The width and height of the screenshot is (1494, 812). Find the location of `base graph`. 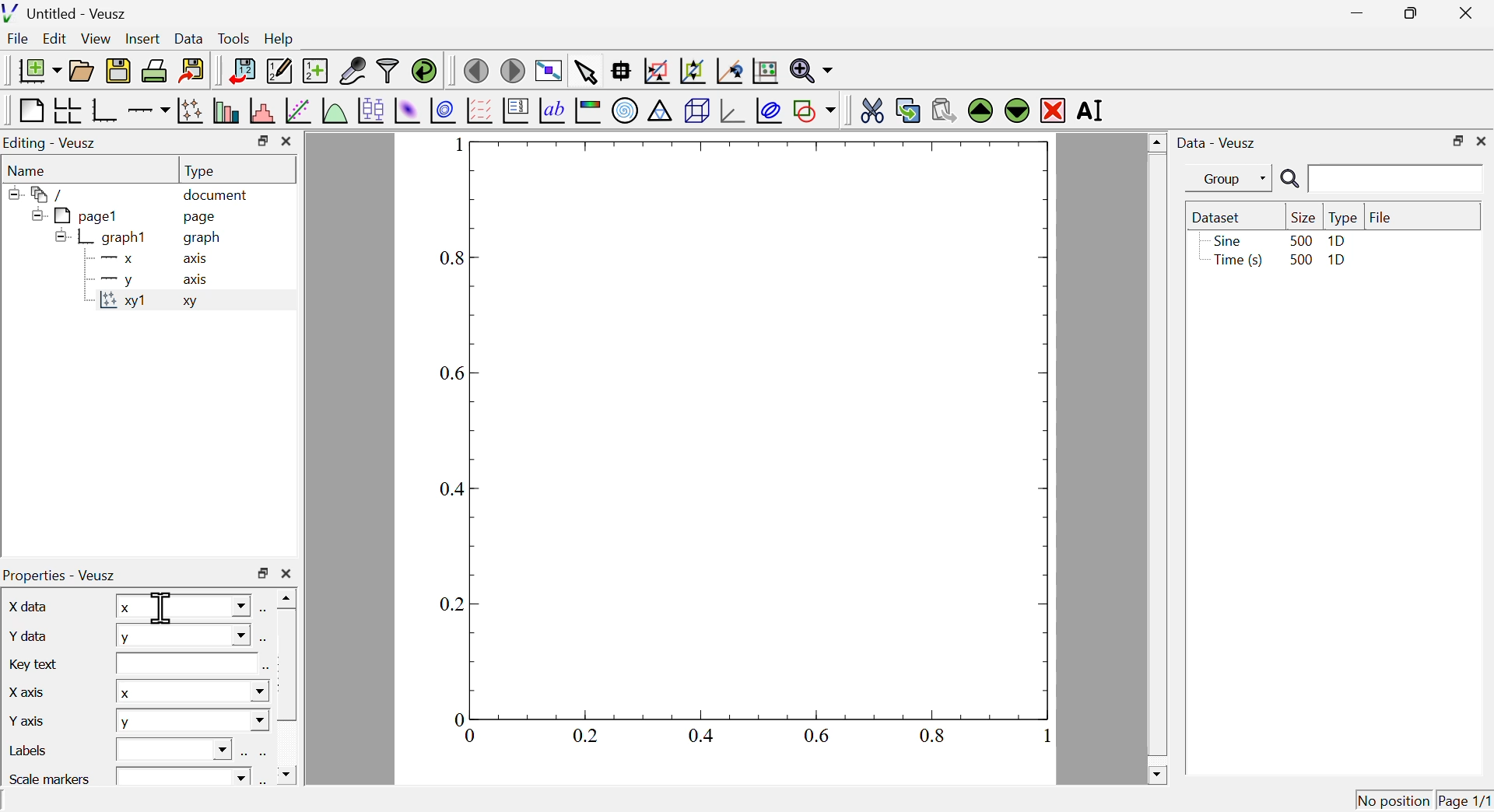

base graph is located at coordinates (105, 110).